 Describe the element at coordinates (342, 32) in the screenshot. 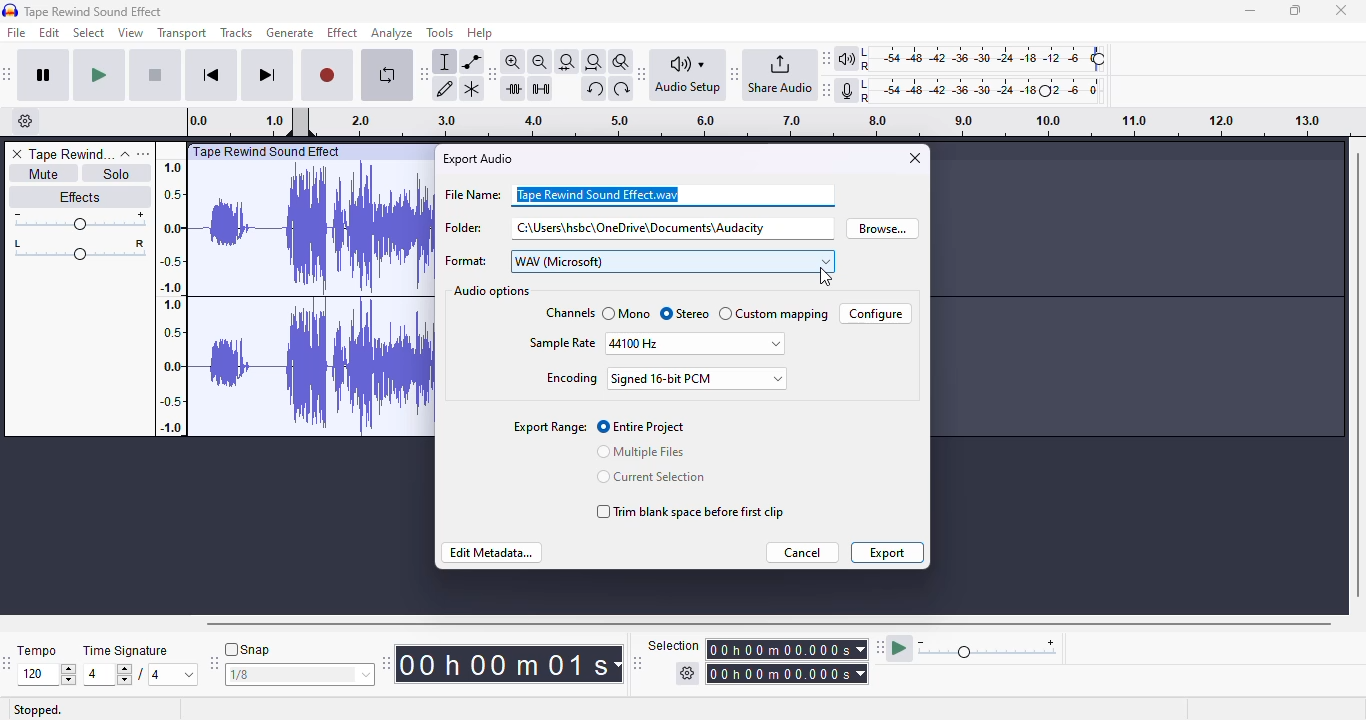

I see `effect` at that location.